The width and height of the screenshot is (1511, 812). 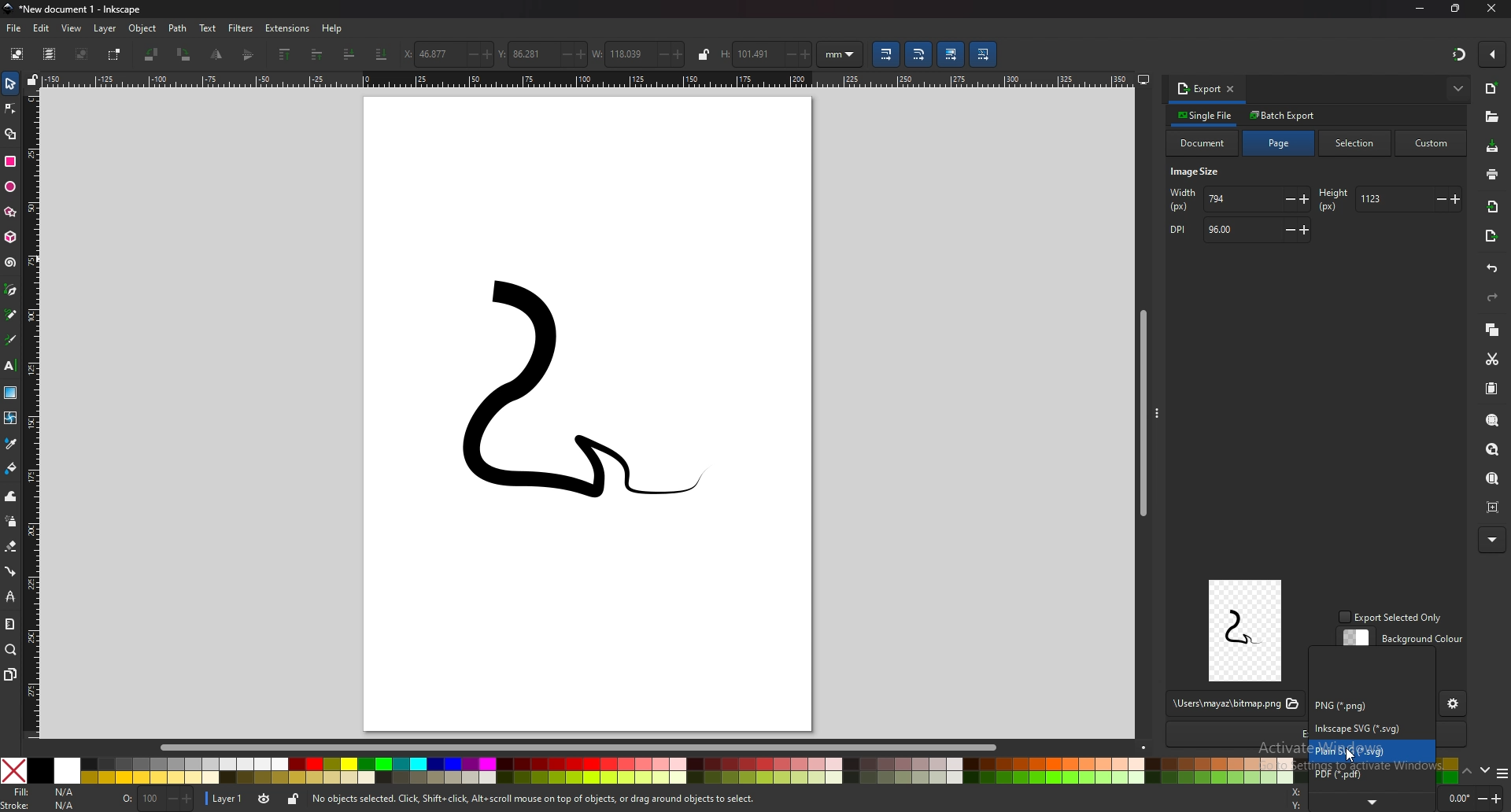 What do you see at coordinates (1403, 639) in the screenshot?
I see `background color` at bounding box center [1403, 639].